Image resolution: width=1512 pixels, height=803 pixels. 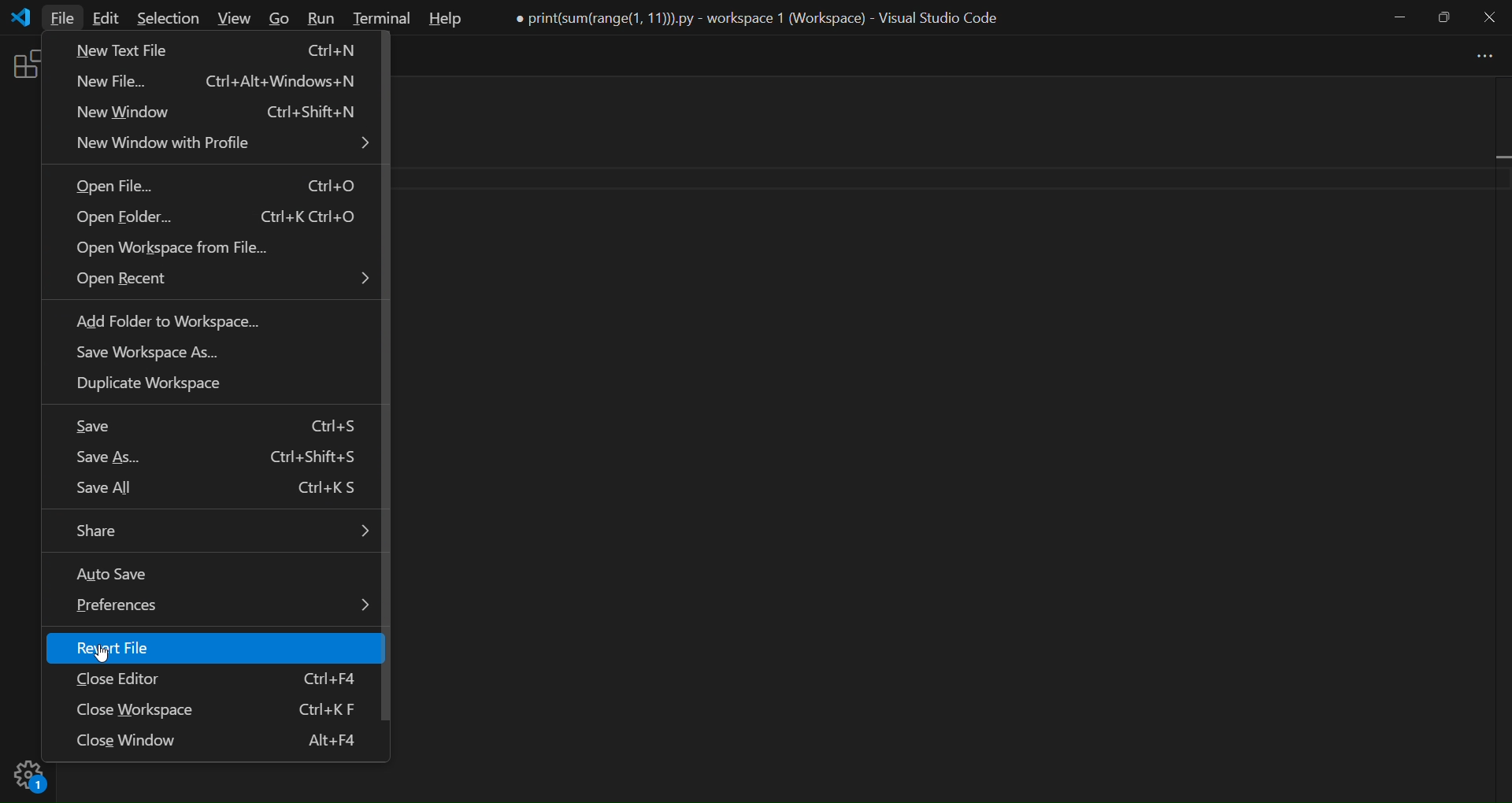 I want to click on share, so click(x=224, y=531).